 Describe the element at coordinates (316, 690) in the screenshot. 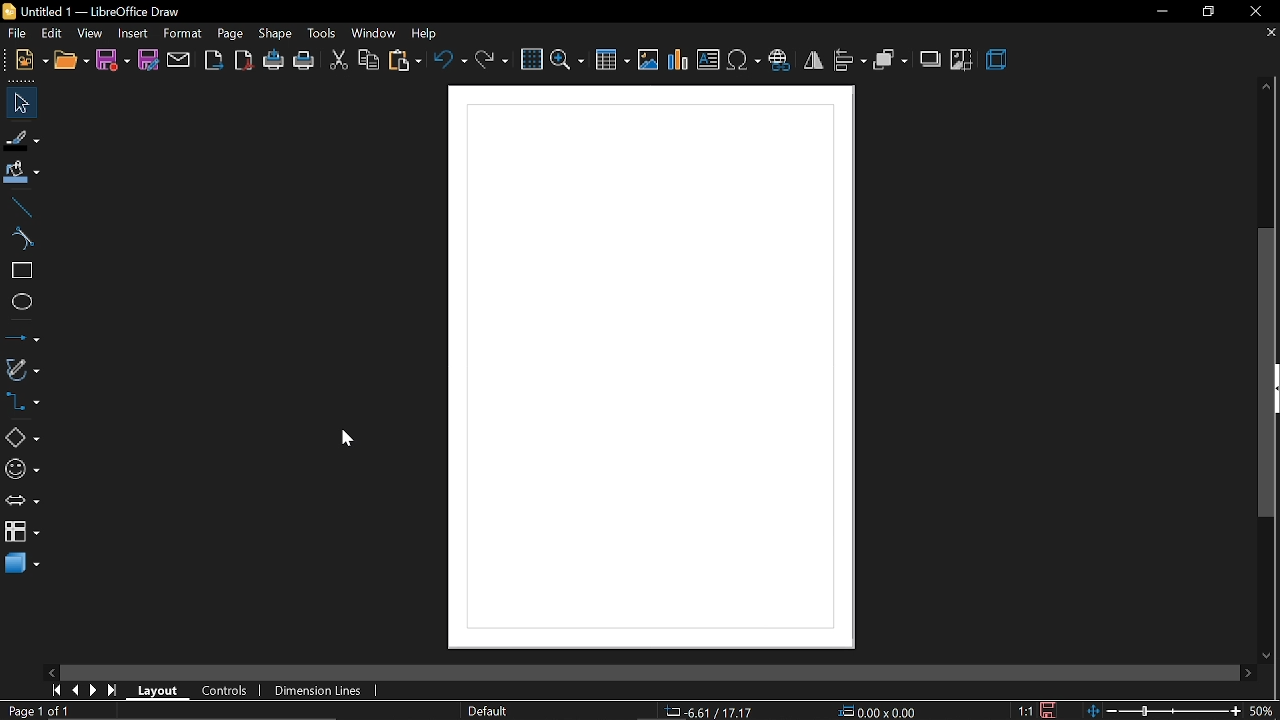

I see `dimension lines` at that location.